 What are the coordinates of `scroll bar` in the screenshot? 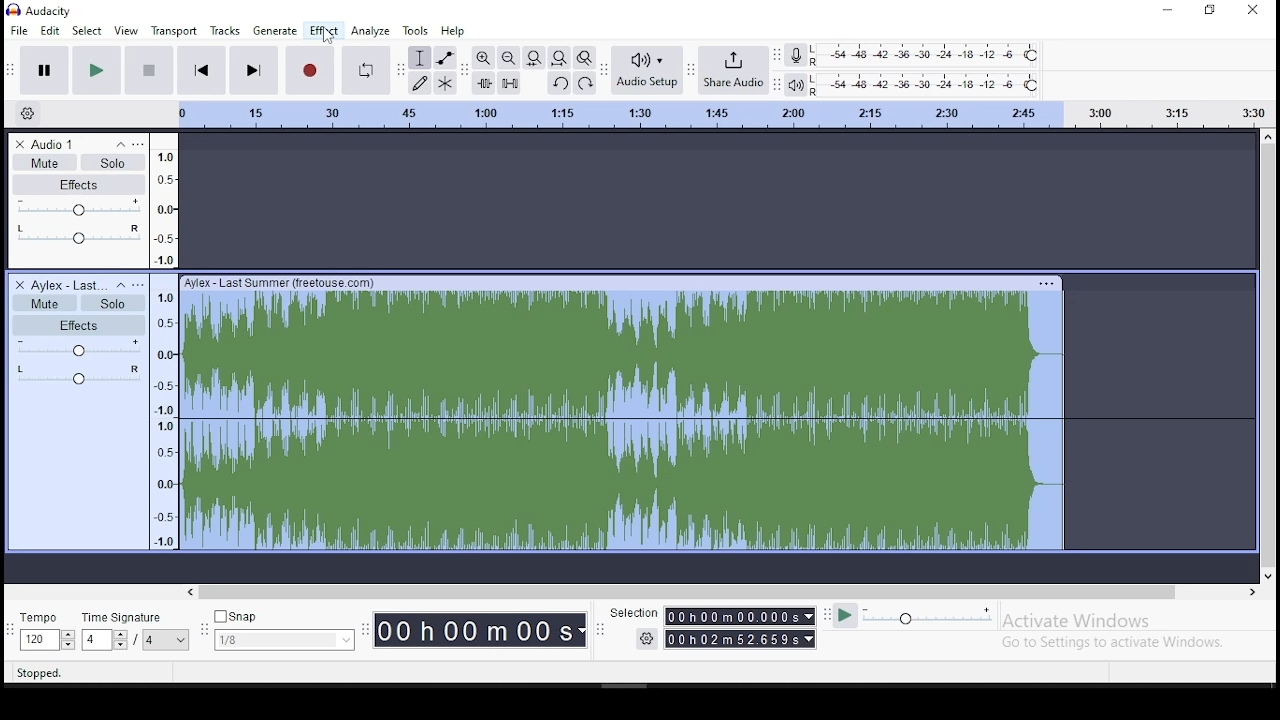 It's located at (1268, 357).